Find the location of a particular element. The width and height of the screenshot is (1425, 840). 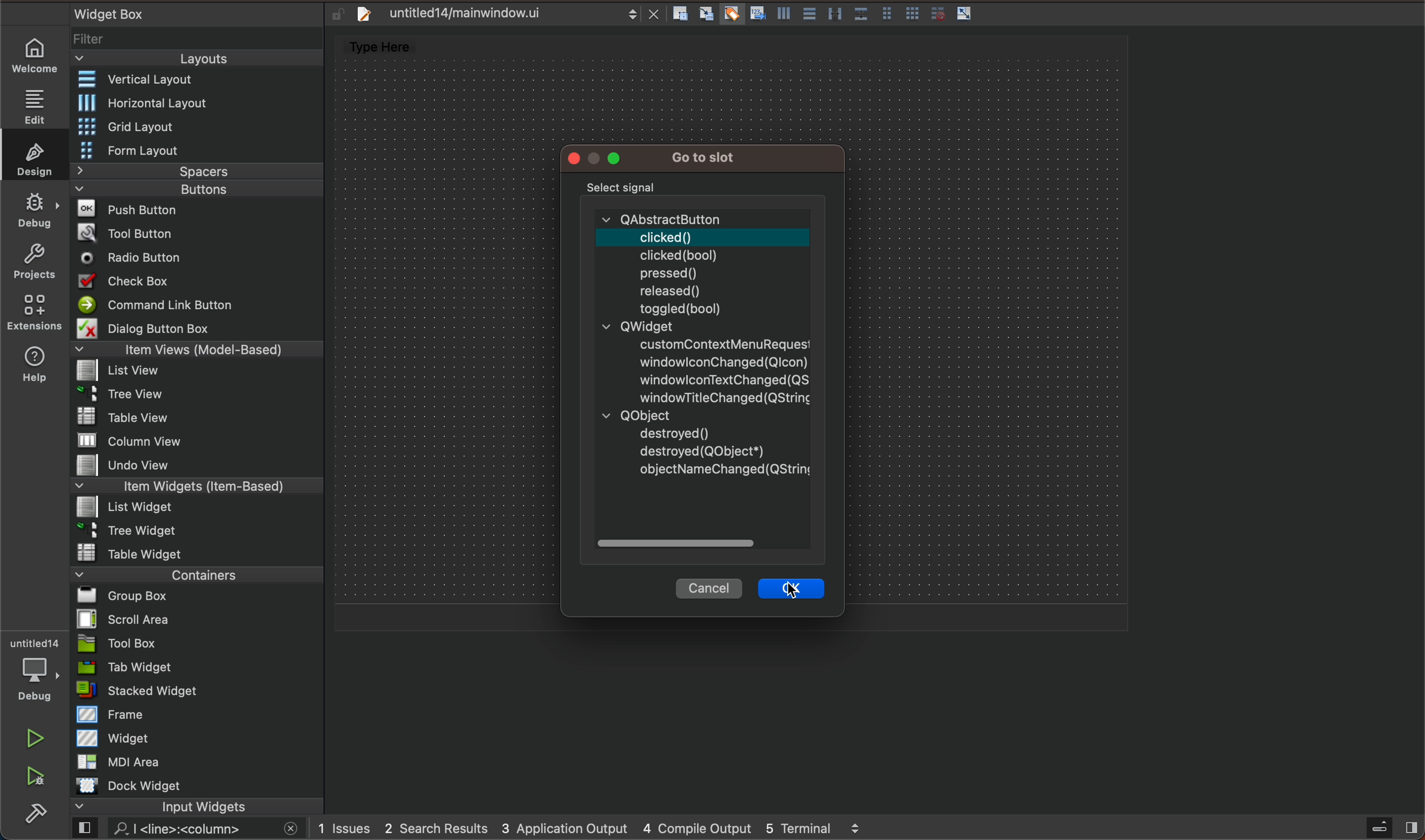

WELCOME is located at coordinates (36, 58).